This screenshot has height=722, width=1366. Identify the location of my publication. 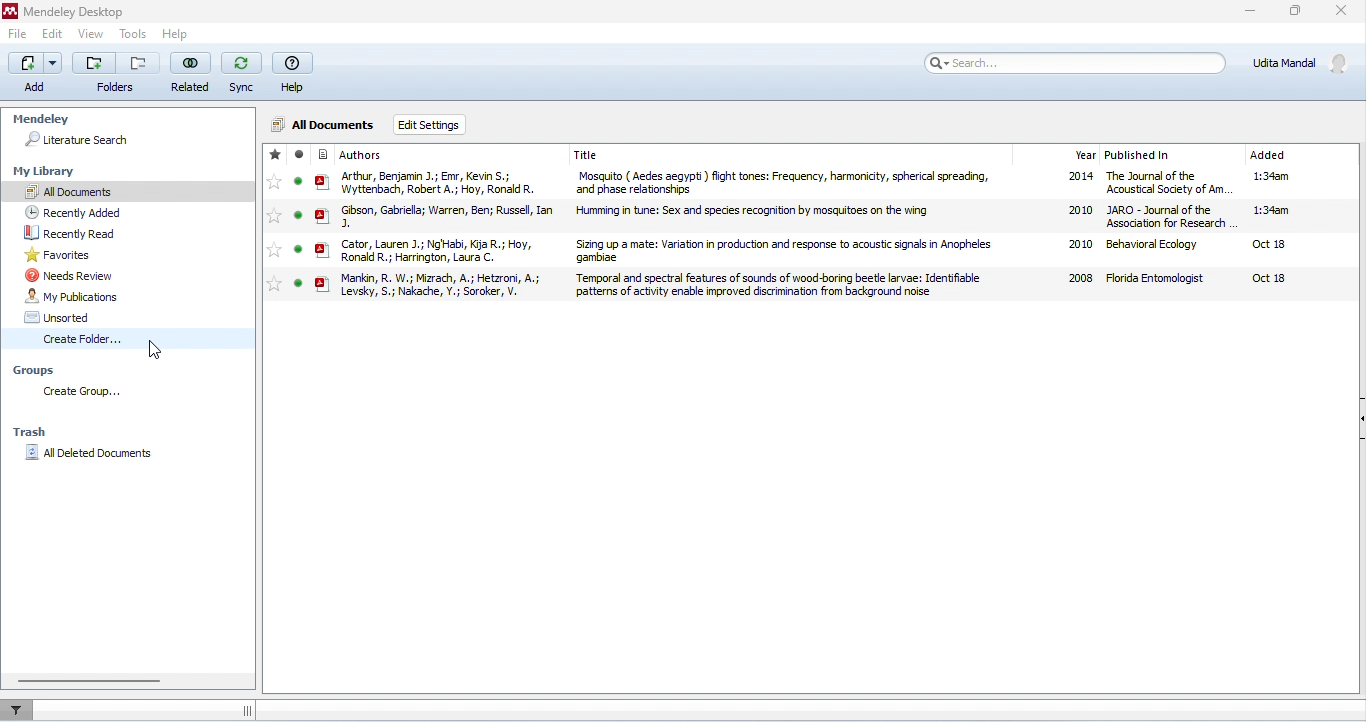
(137, 297).